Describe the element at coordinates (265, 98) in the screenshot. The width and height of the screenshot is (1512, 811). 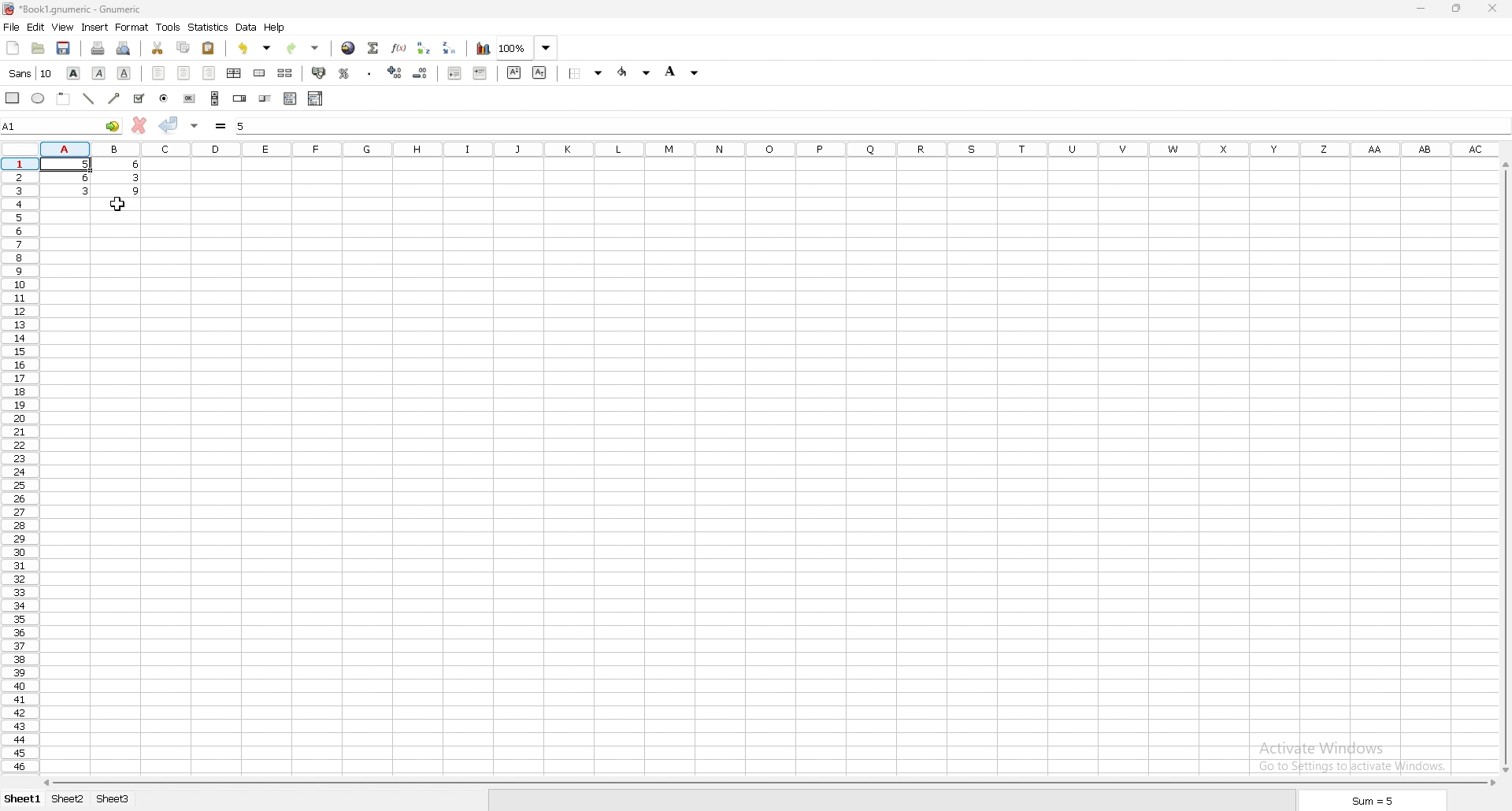
I see `slider` at that location.